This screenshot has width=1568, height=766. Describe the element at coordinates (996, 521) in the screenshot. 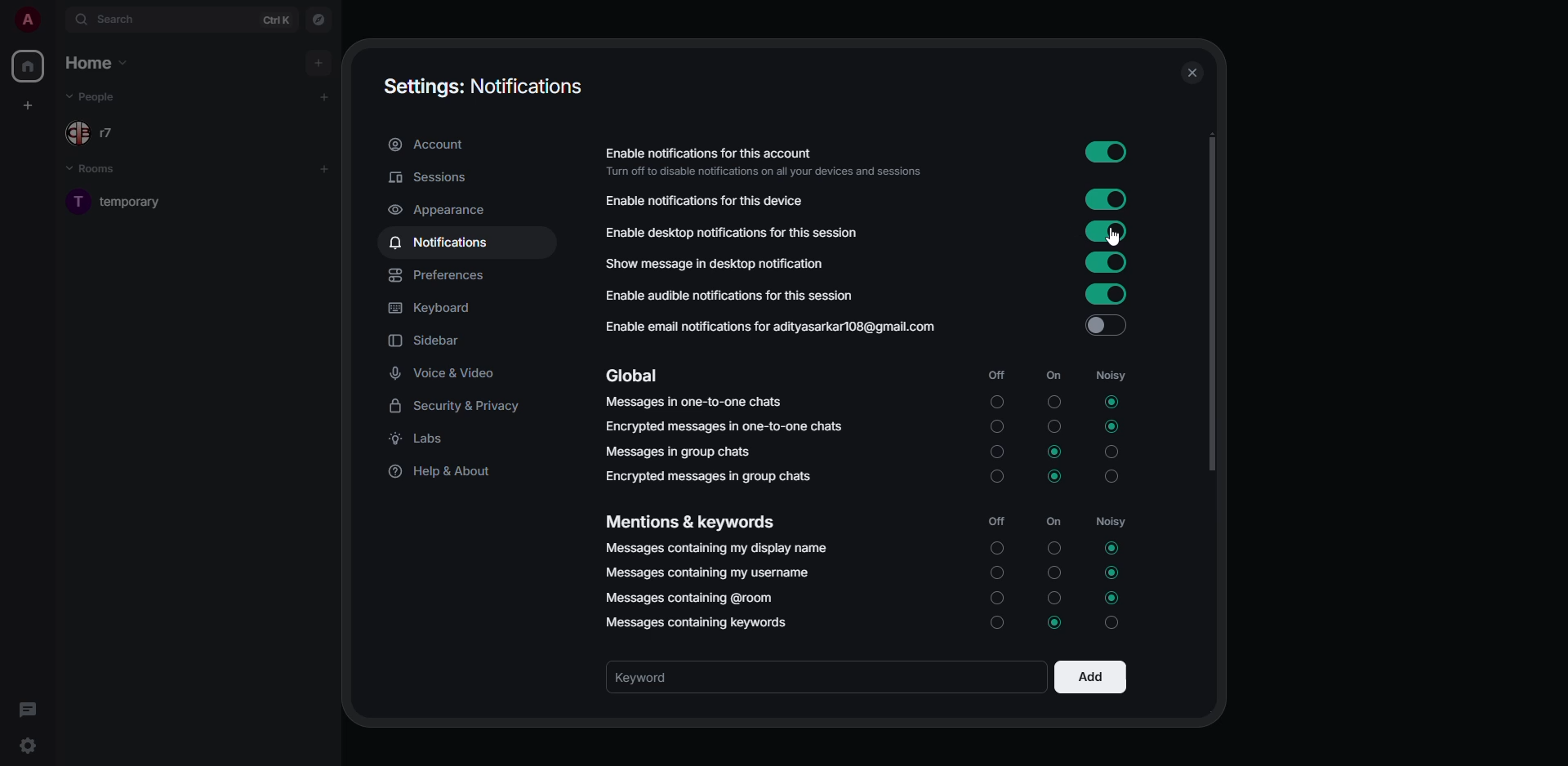

I see `off` at that location.